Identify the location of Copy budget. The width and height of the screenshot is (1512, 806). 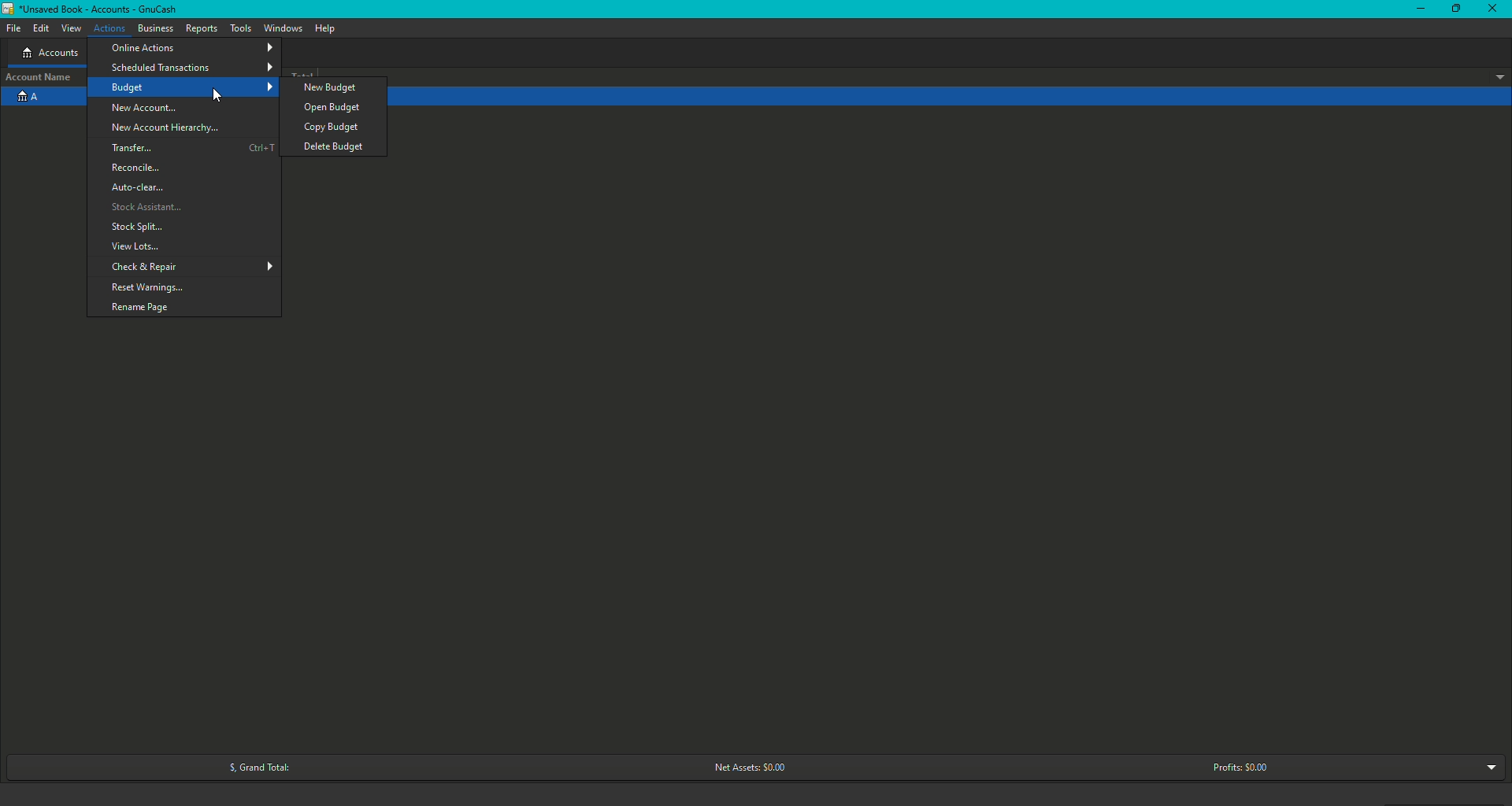
(329, 128).